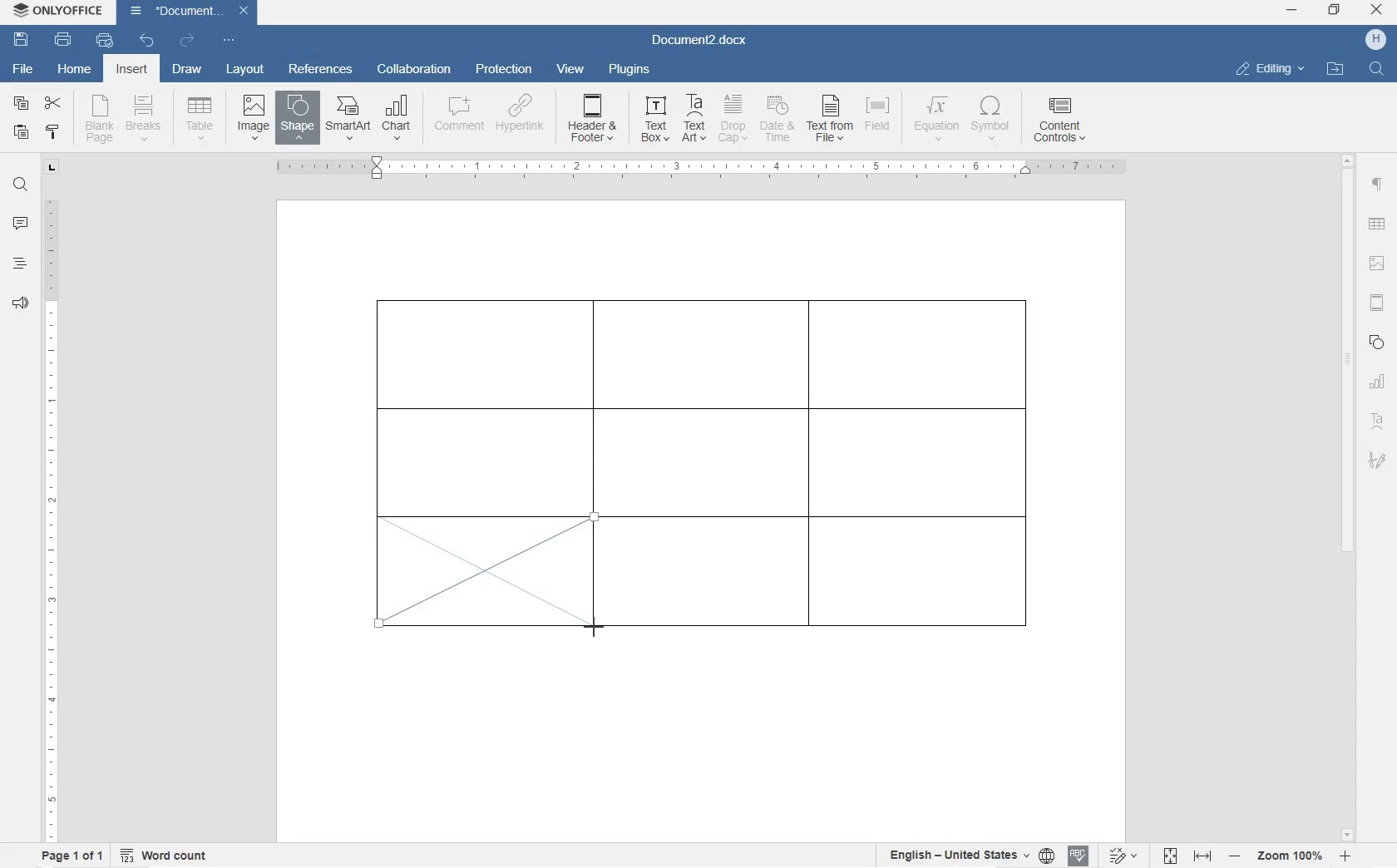 The height and width of the screenshot is (868, 1397). What do you see at coordinates (53, 132) in the screenshot?
I see `copy style` at bounding box center [53, 132].